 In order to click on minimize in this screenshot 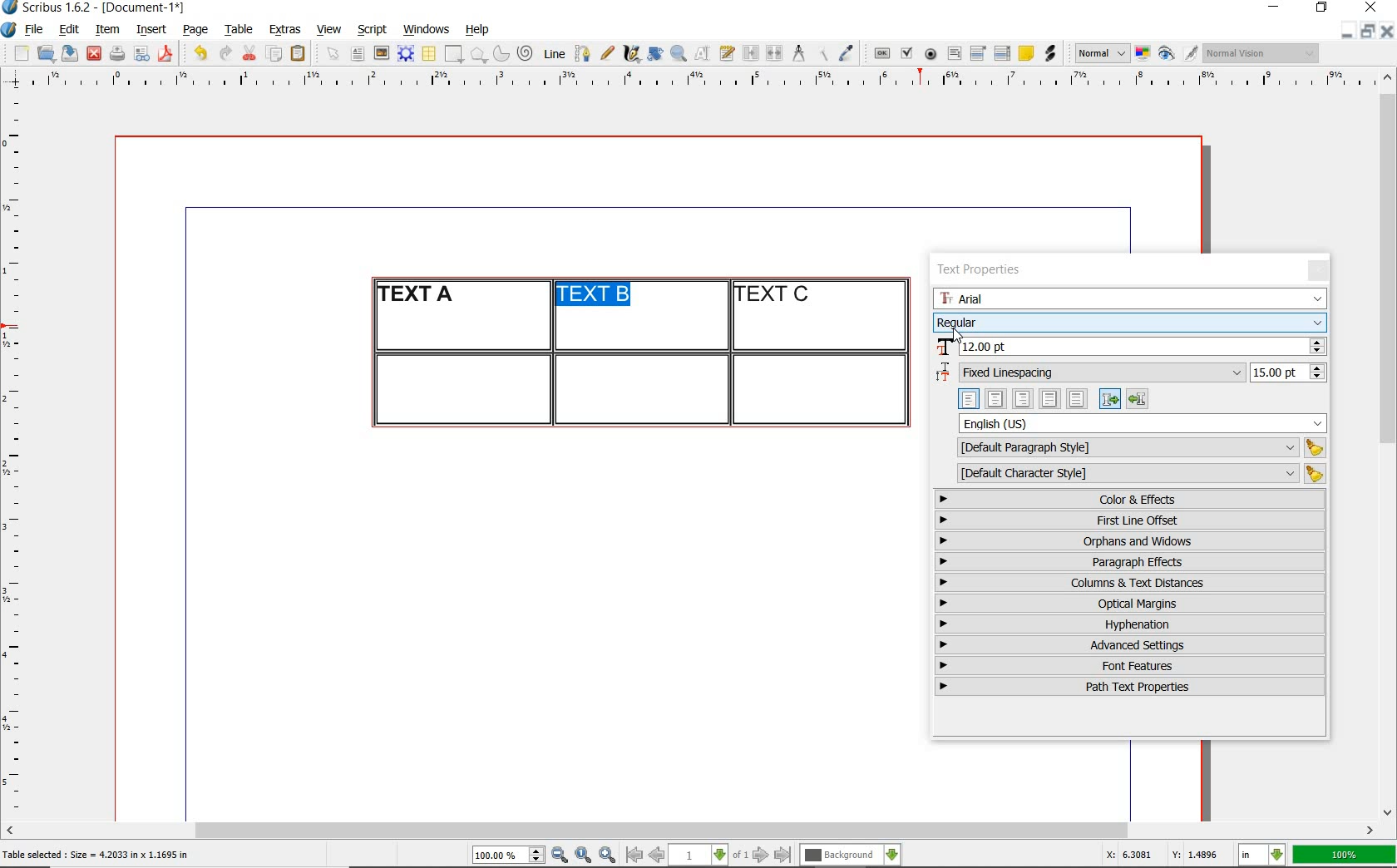, I will do `click(1276, 8)`.